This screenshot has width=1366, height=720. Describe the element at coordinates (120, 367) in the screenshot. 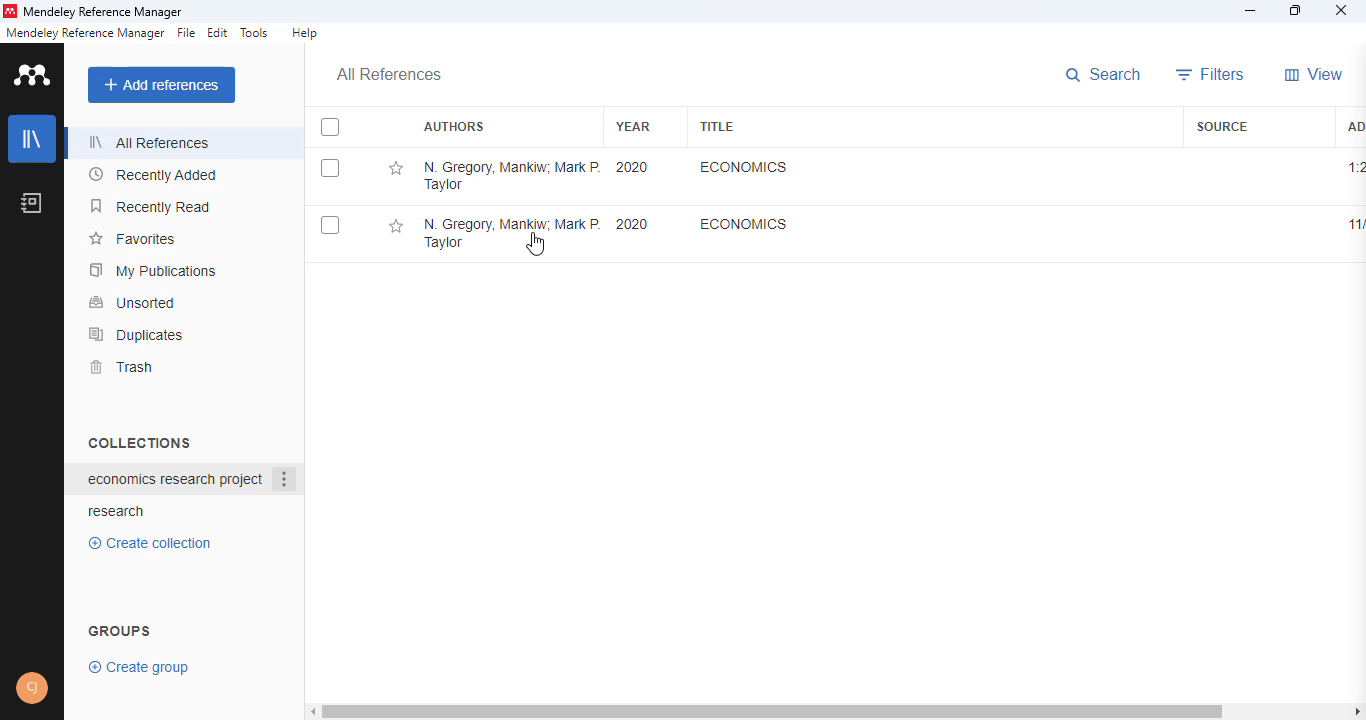

I see `trash` at that location.